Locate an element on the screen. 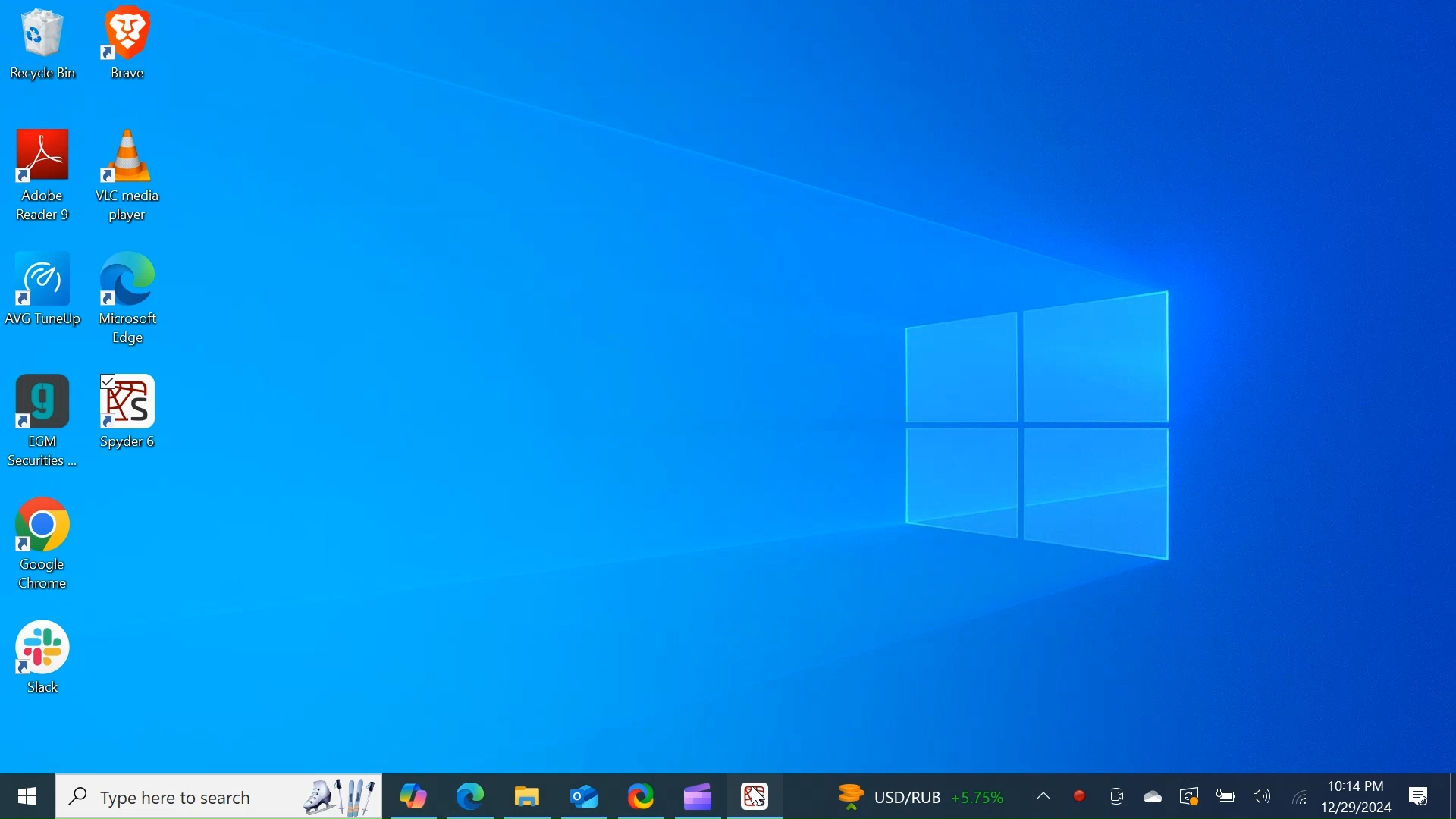 This screenshot has width=1456, height=819. Speaker is located at coordinates (1261, 794).